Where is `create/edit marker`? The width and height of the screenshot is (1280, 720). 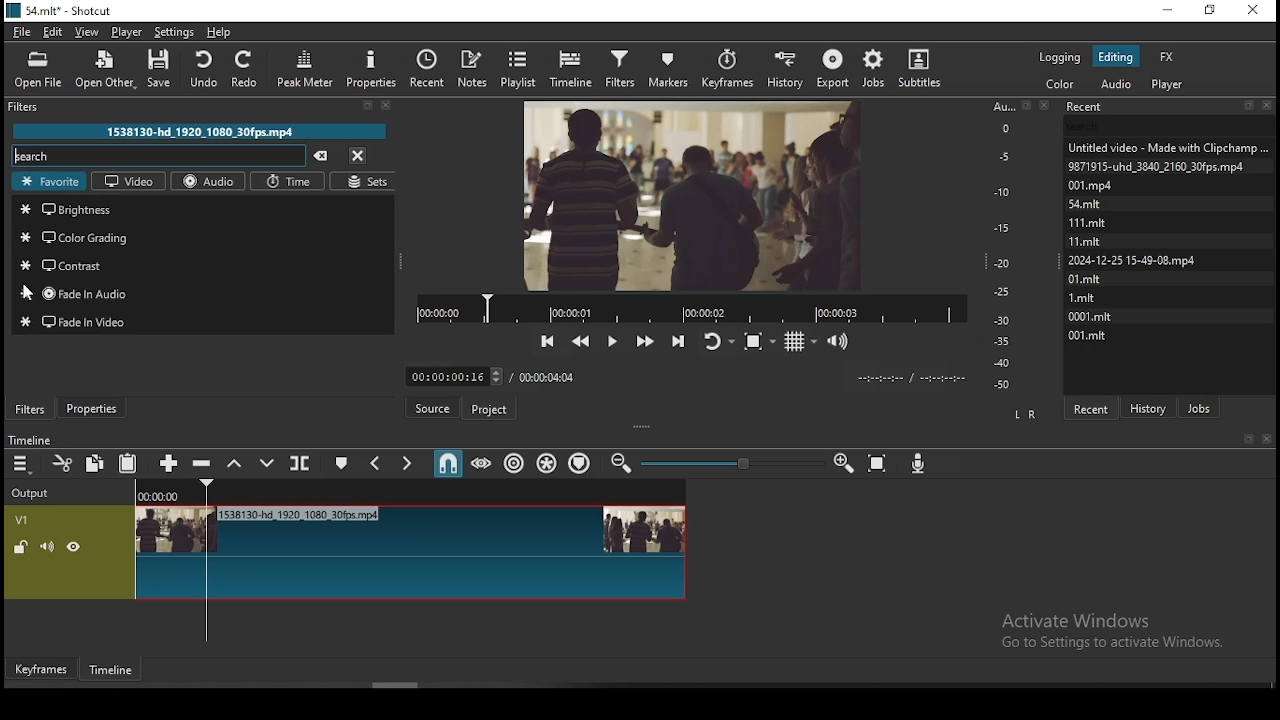
create/edit marker is located at coordinates (339, 466).